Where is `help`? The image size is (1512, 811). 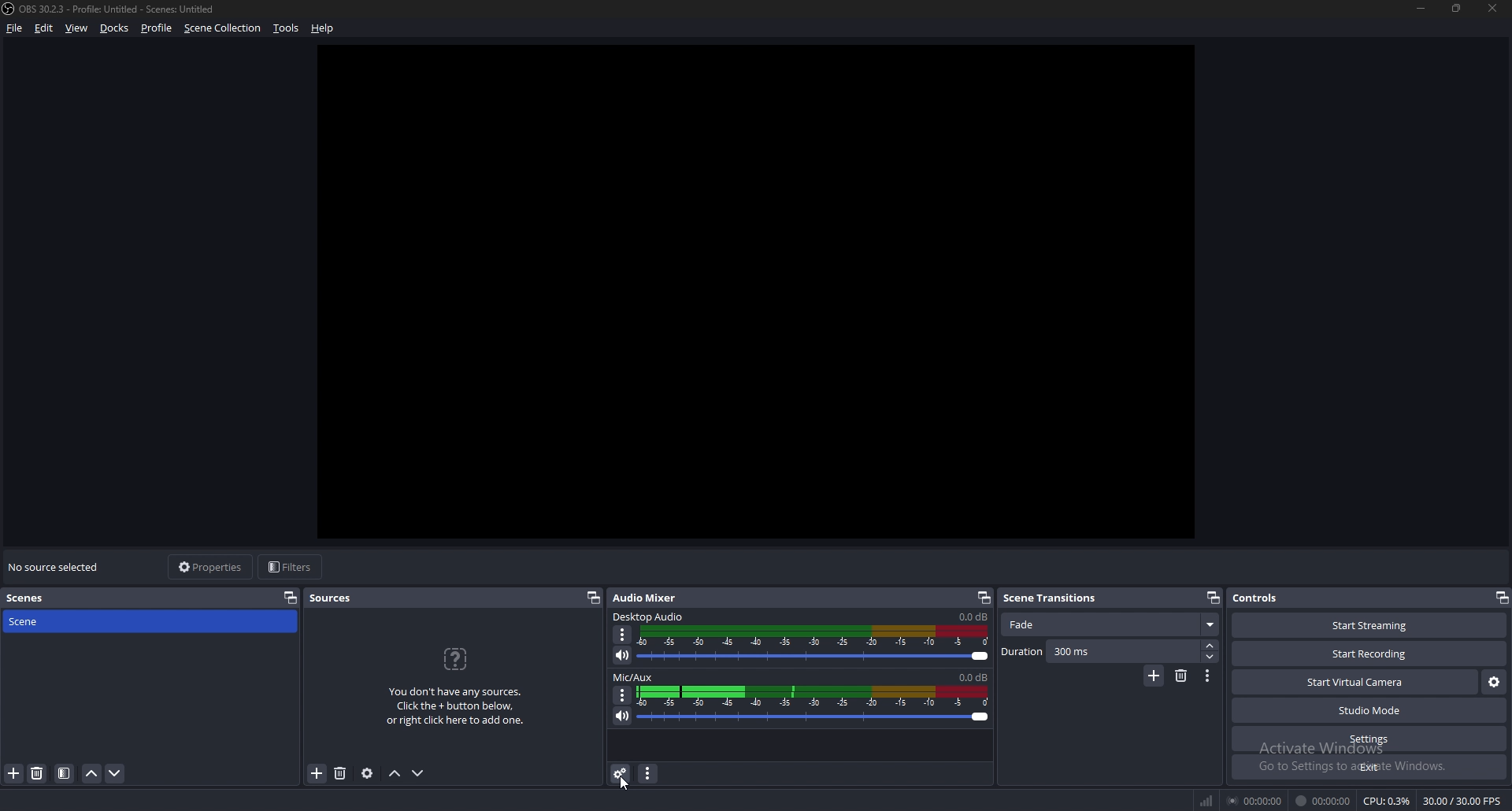
help is located at coordinates (325, 27).